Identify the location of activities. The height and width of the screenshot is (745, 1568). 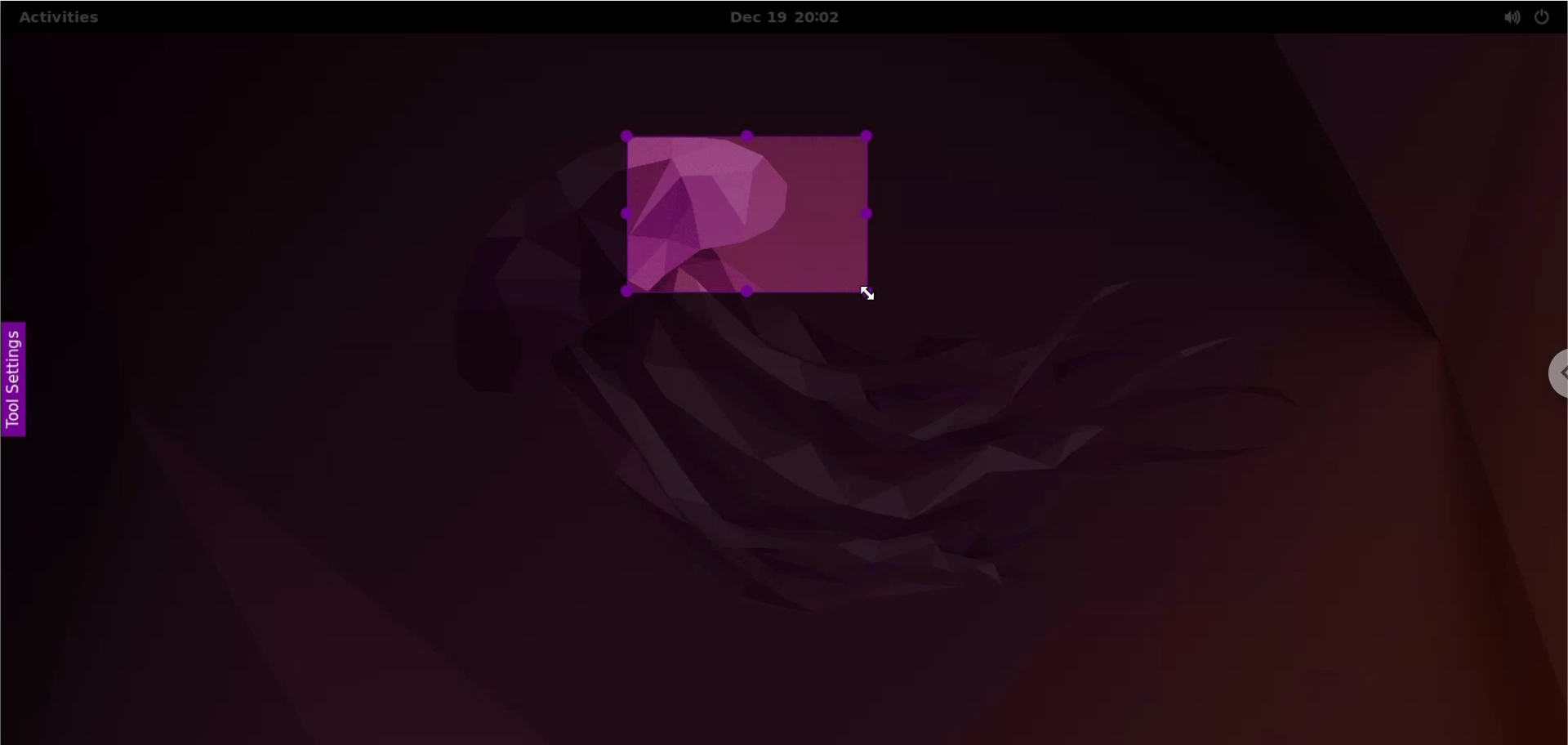
(60, 20).